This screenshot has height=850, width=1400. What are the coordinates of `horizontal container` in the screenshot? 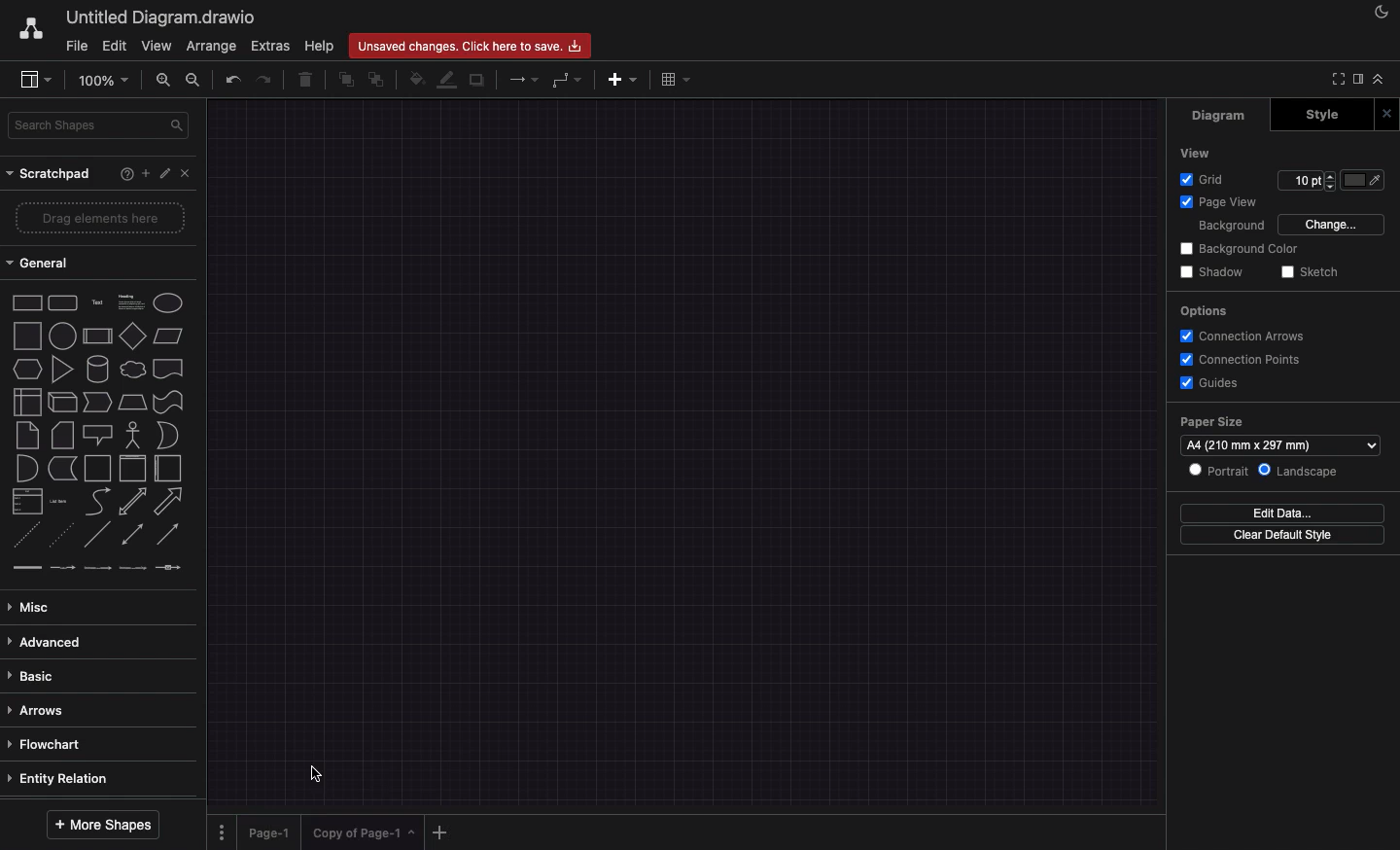 It's located at (169, 468).